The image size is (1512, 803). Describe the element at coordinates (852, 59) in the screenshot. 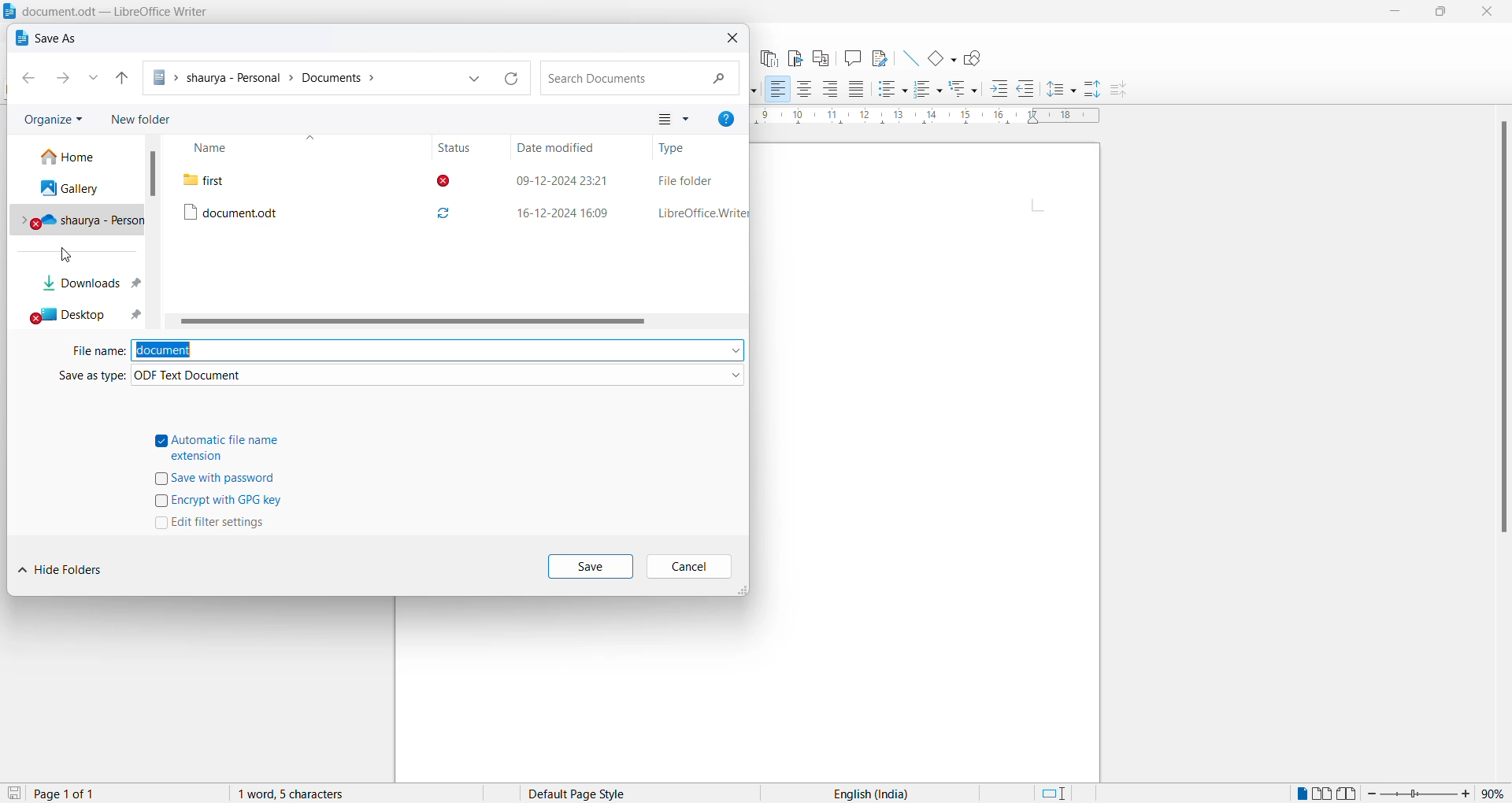

I see `Insert comments` at that location.